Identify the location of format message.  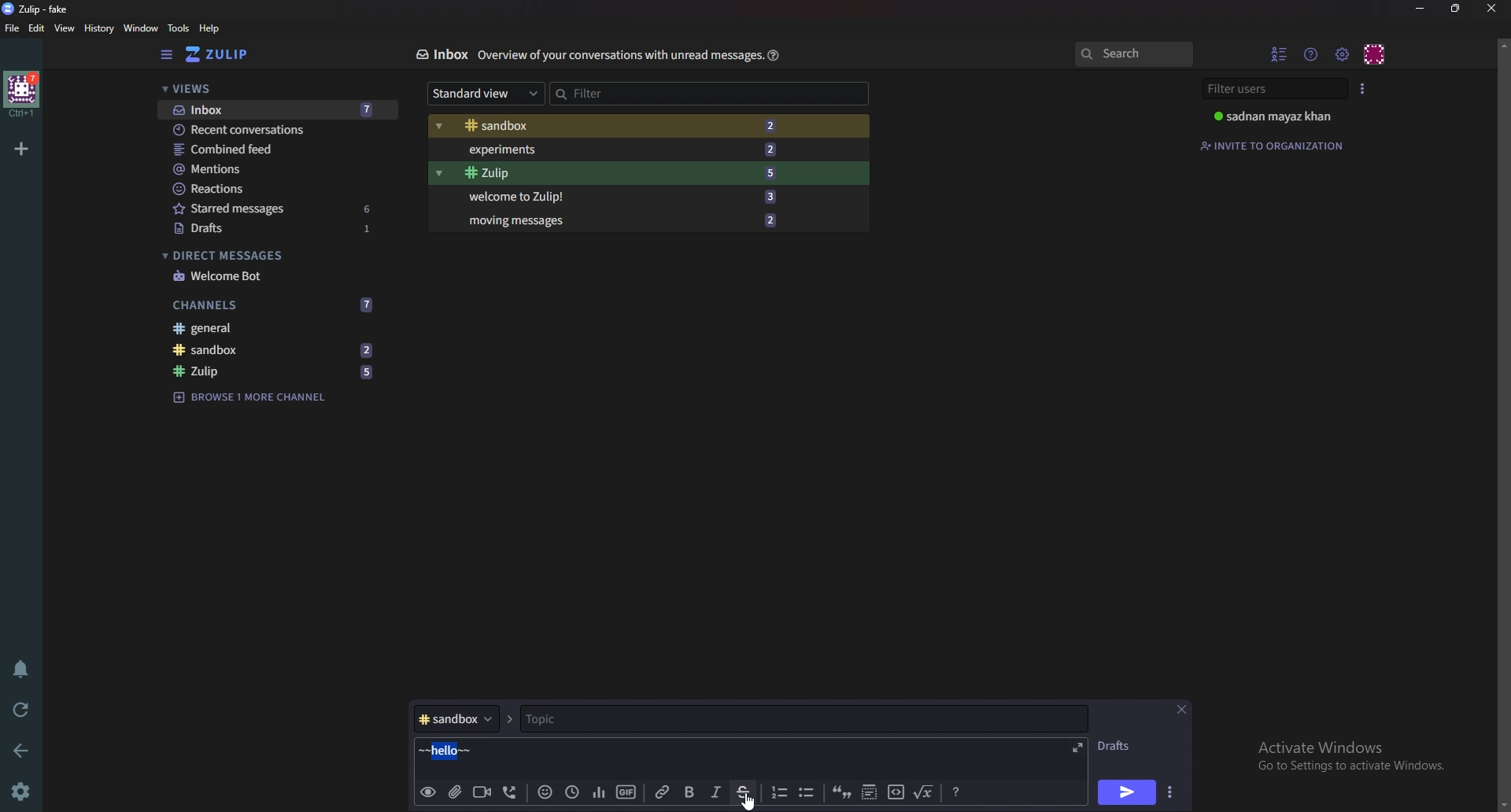
(956, 792).